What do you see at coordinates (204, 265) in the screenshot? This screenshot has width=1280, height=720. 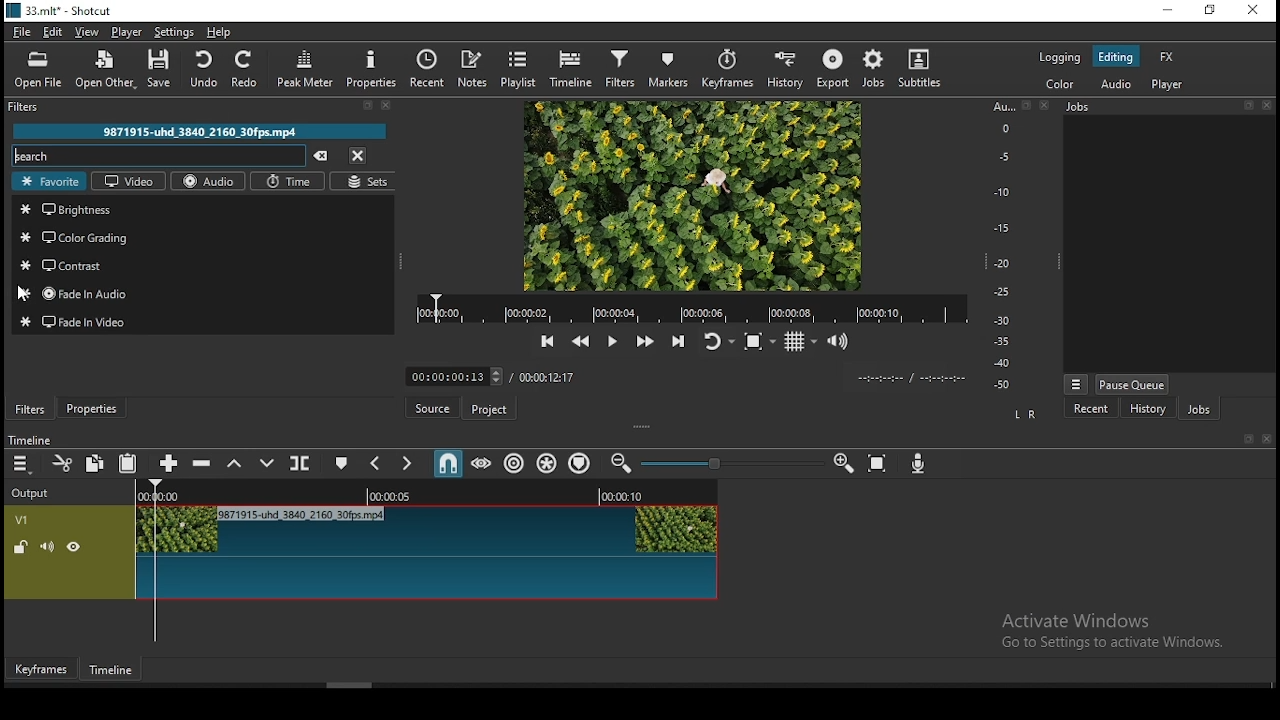 I see `contrast` at bounding box center [204, 265].